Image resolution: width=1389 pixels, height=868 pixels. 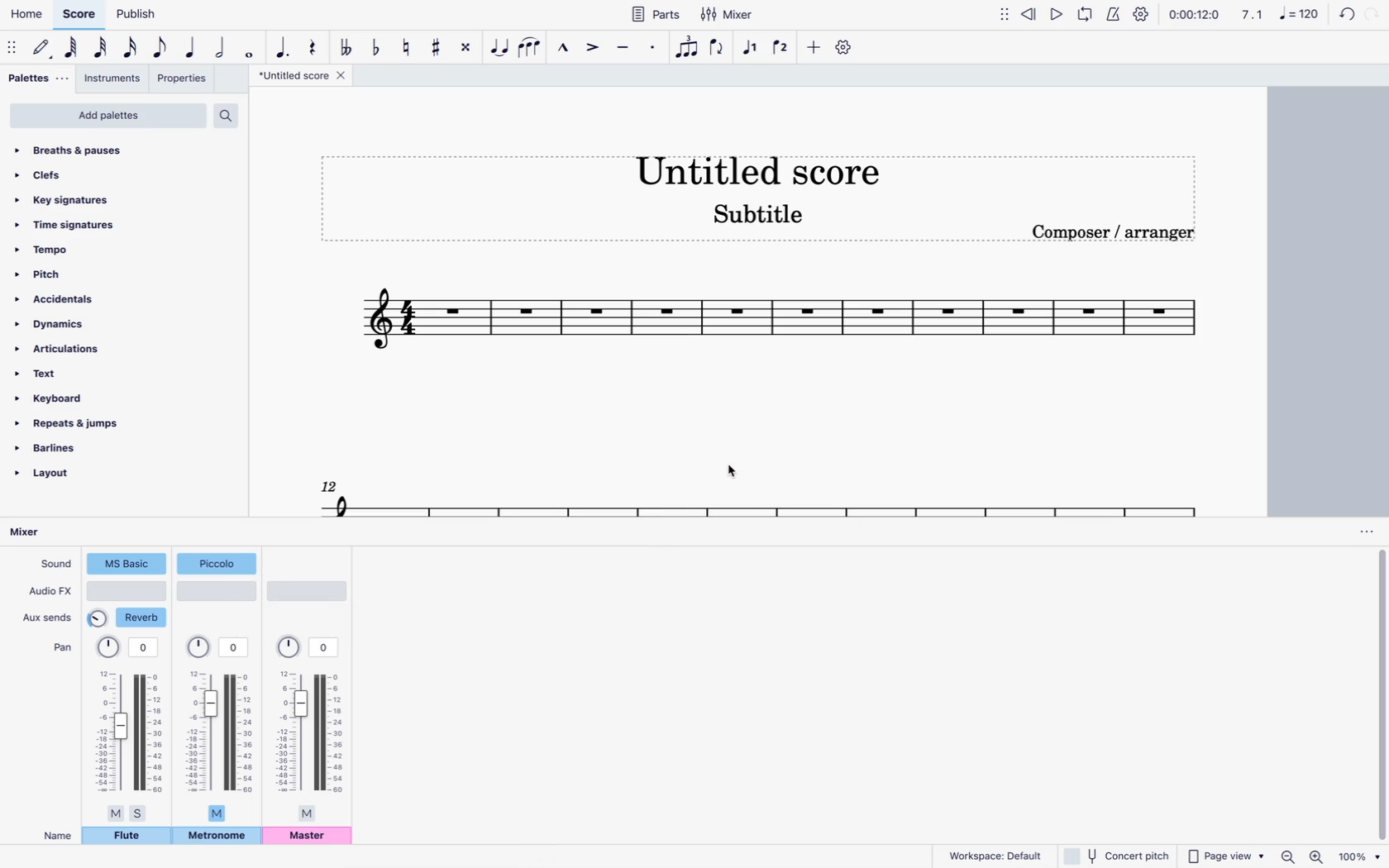 I want to click on dynamics, so click(x=88, y=323).